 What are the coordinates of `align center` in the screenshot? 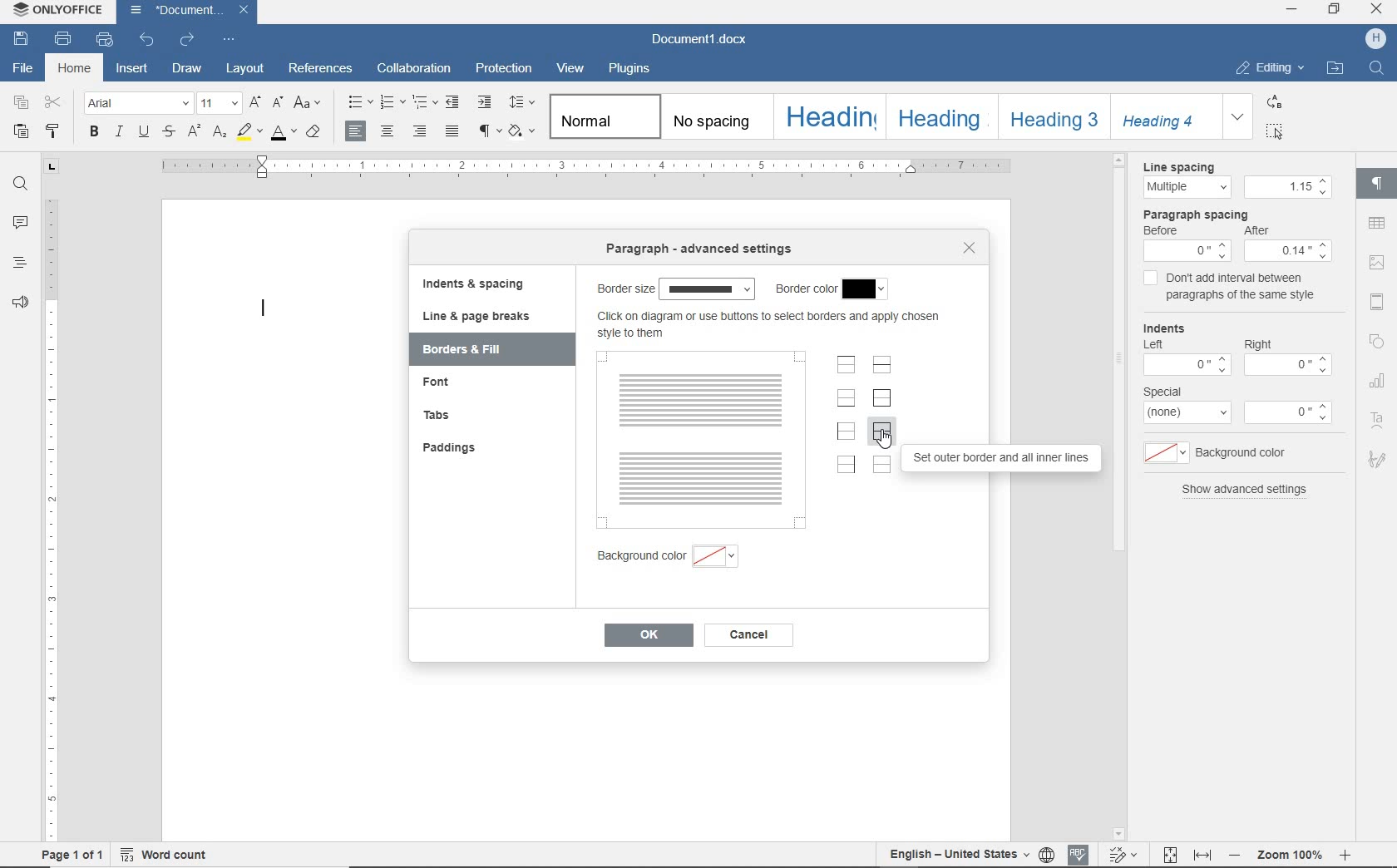 It's located at (388, 132).